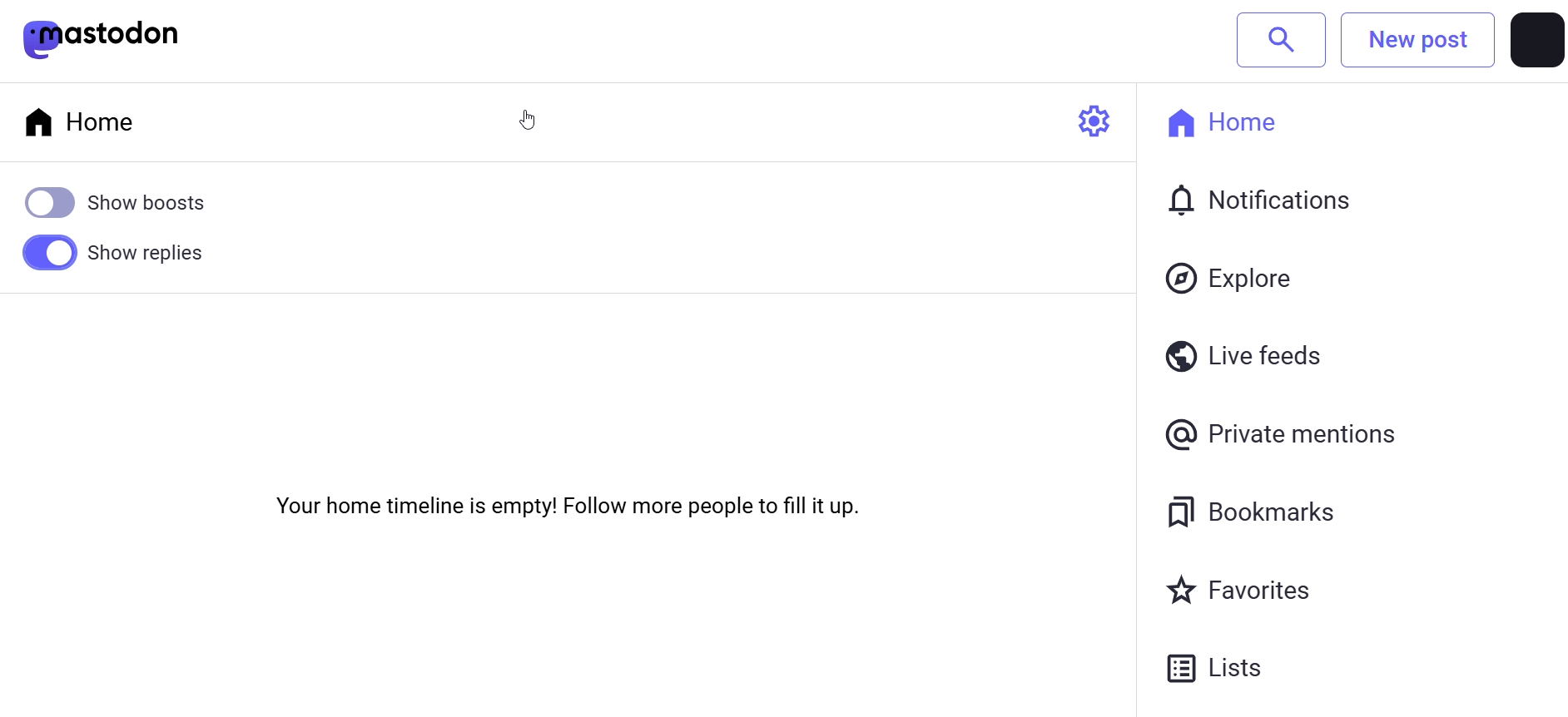  What do you see at coordinates (1253, 354) in the screenshot?
I see `live feeds` at bounding box center [1253, 354].